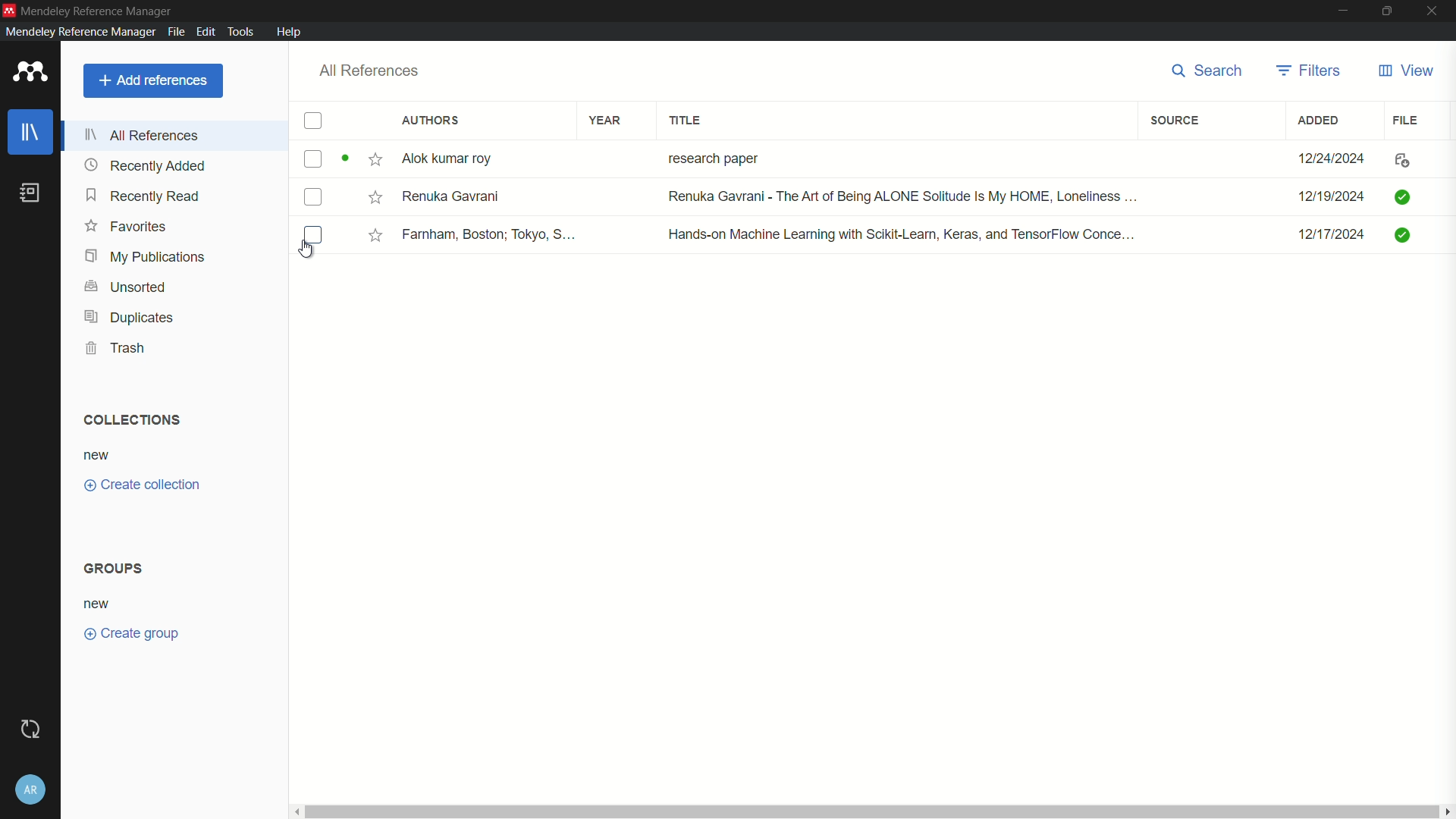 The image size is (1456, 819). I want to click on sync, so click(33, 727).